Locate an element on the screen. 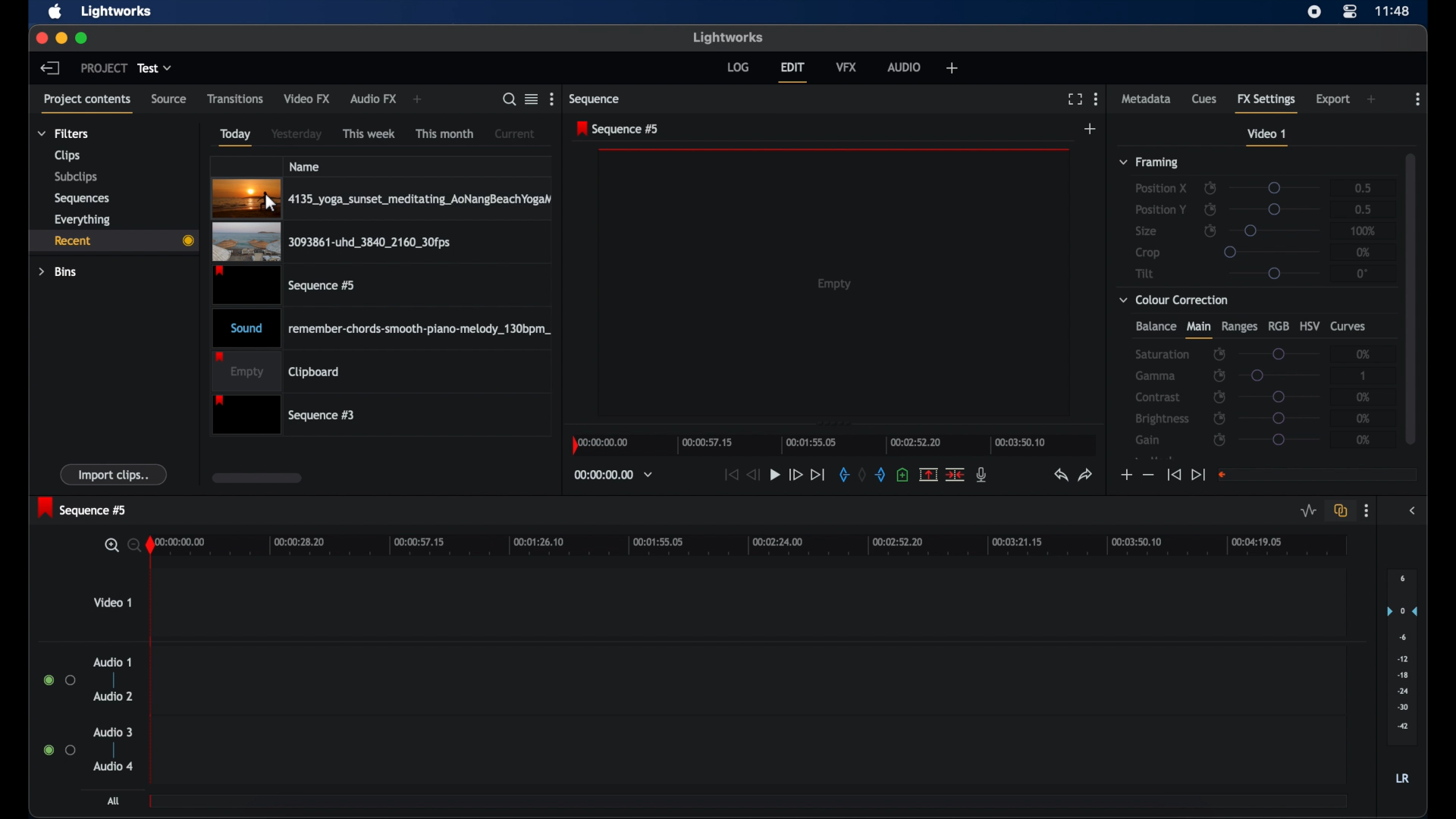 The width and height of the screenshot is (1456, 819). enable/disable keyframes is located at coordinates (1210, 209).